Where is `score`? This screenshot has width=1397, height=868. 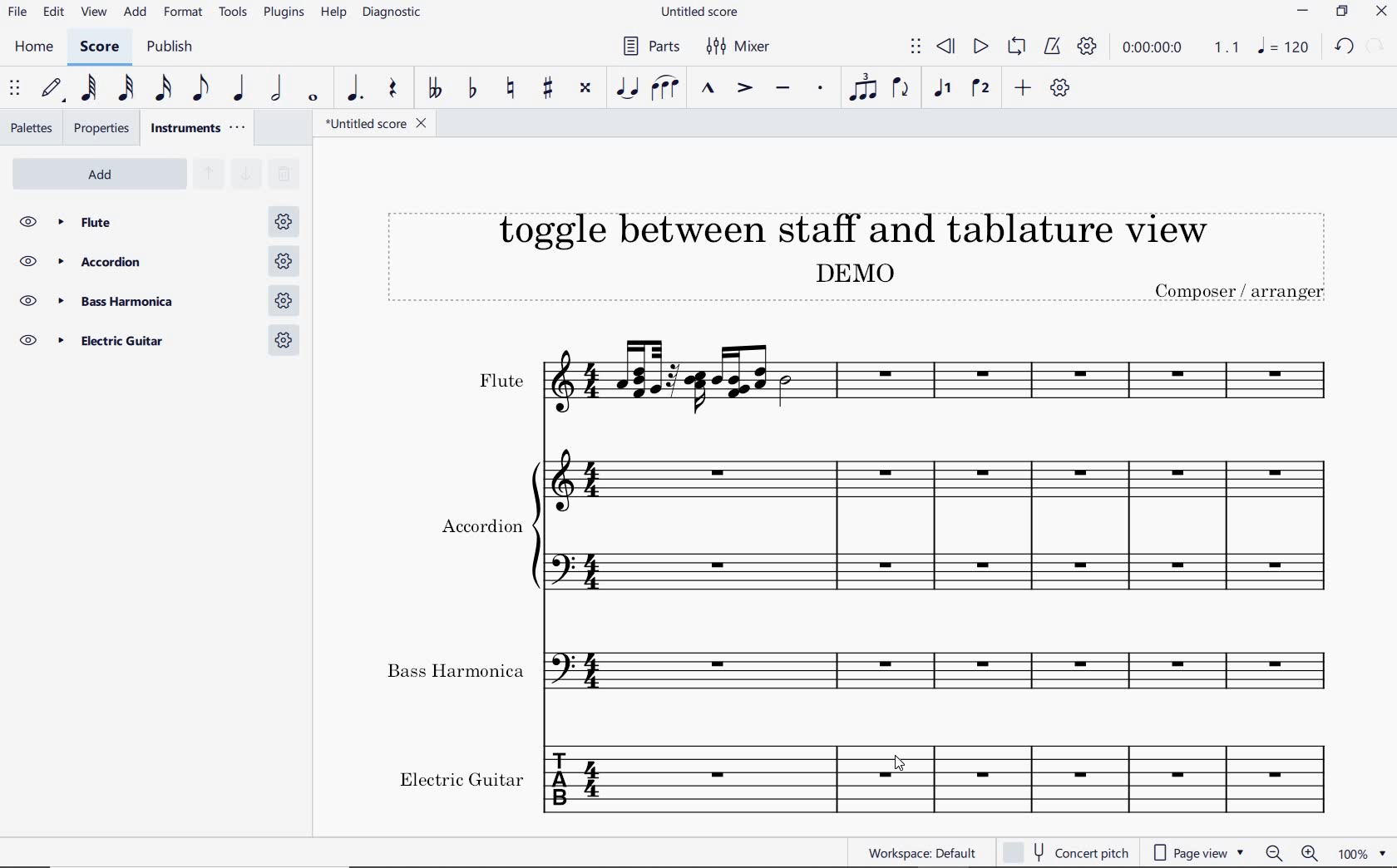
score is located at coordinates (102, 47).